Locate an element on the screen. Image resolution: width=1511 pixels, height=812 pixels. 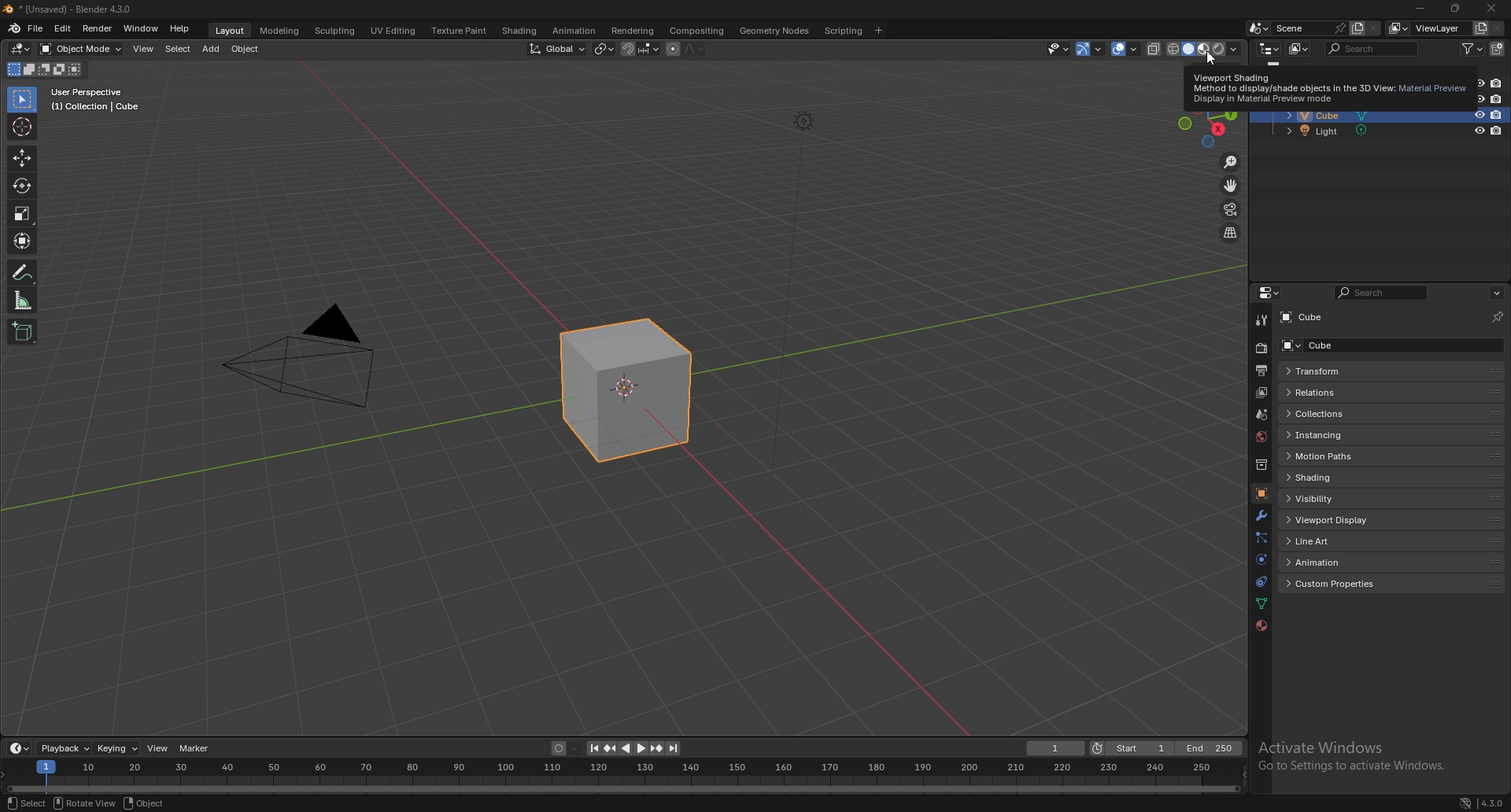
new collection is located at coordinates (1498, 49).